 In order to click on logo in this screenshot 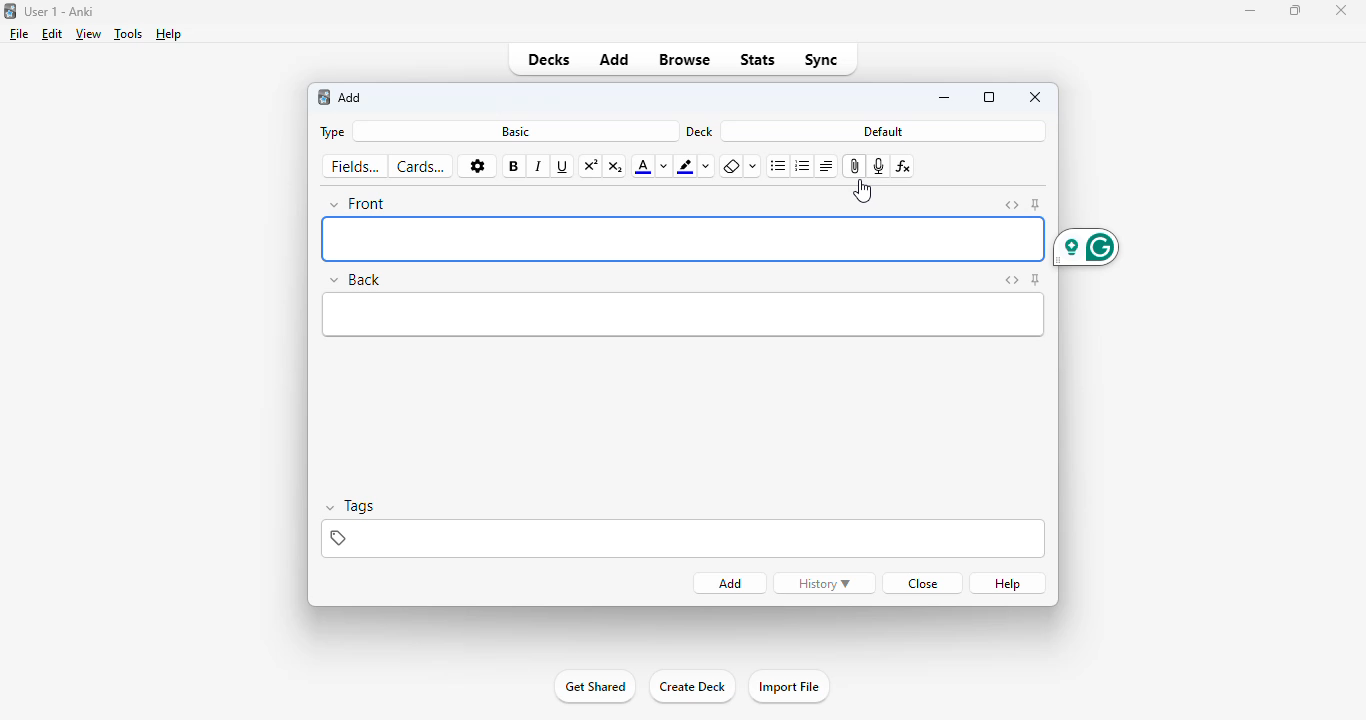, I will do `click(9, 11)`.